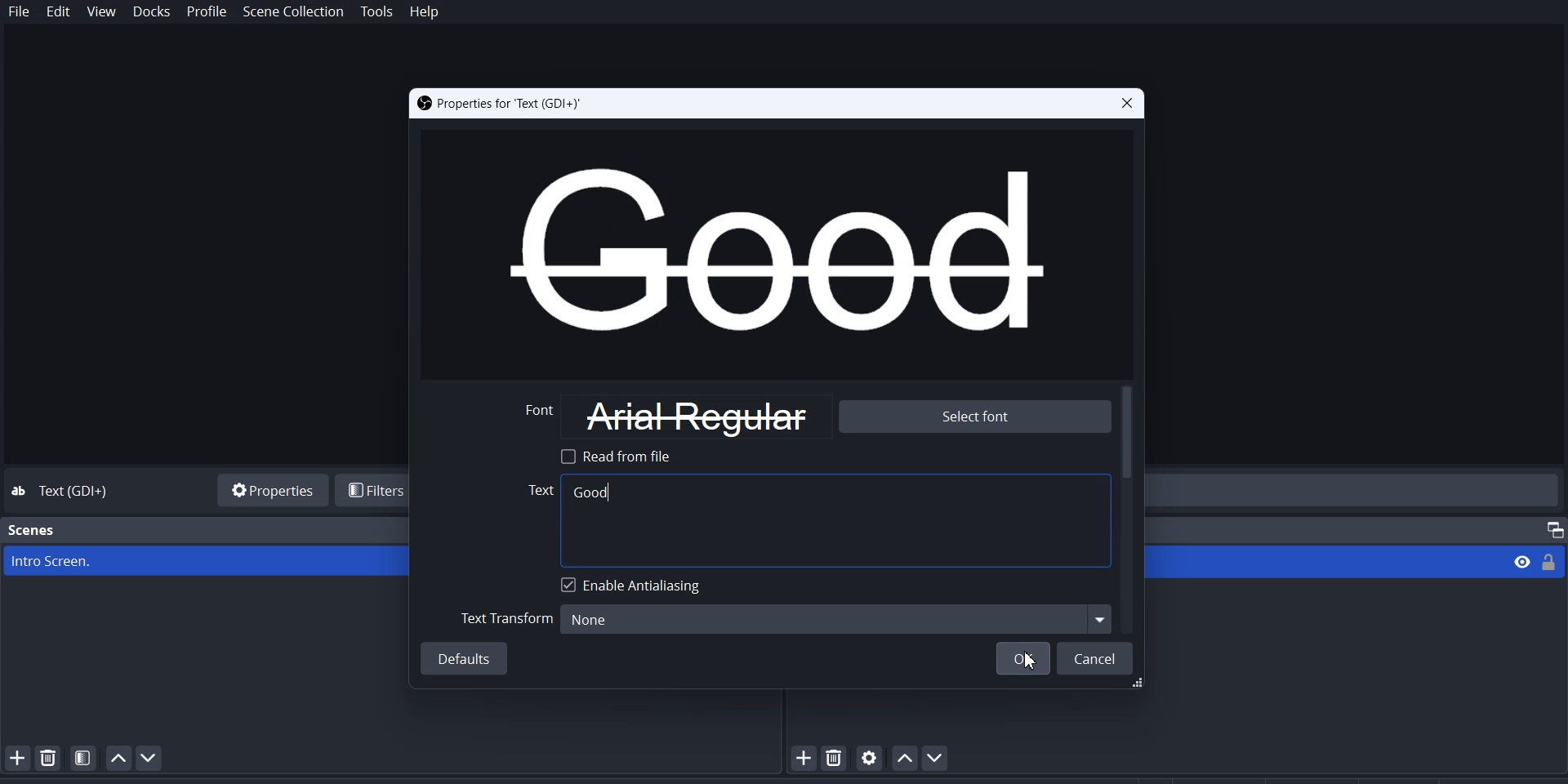 The image size is (1568, 784). Describe the element at coordinates (20, 12) in the screenshot. I see `File` at that location.